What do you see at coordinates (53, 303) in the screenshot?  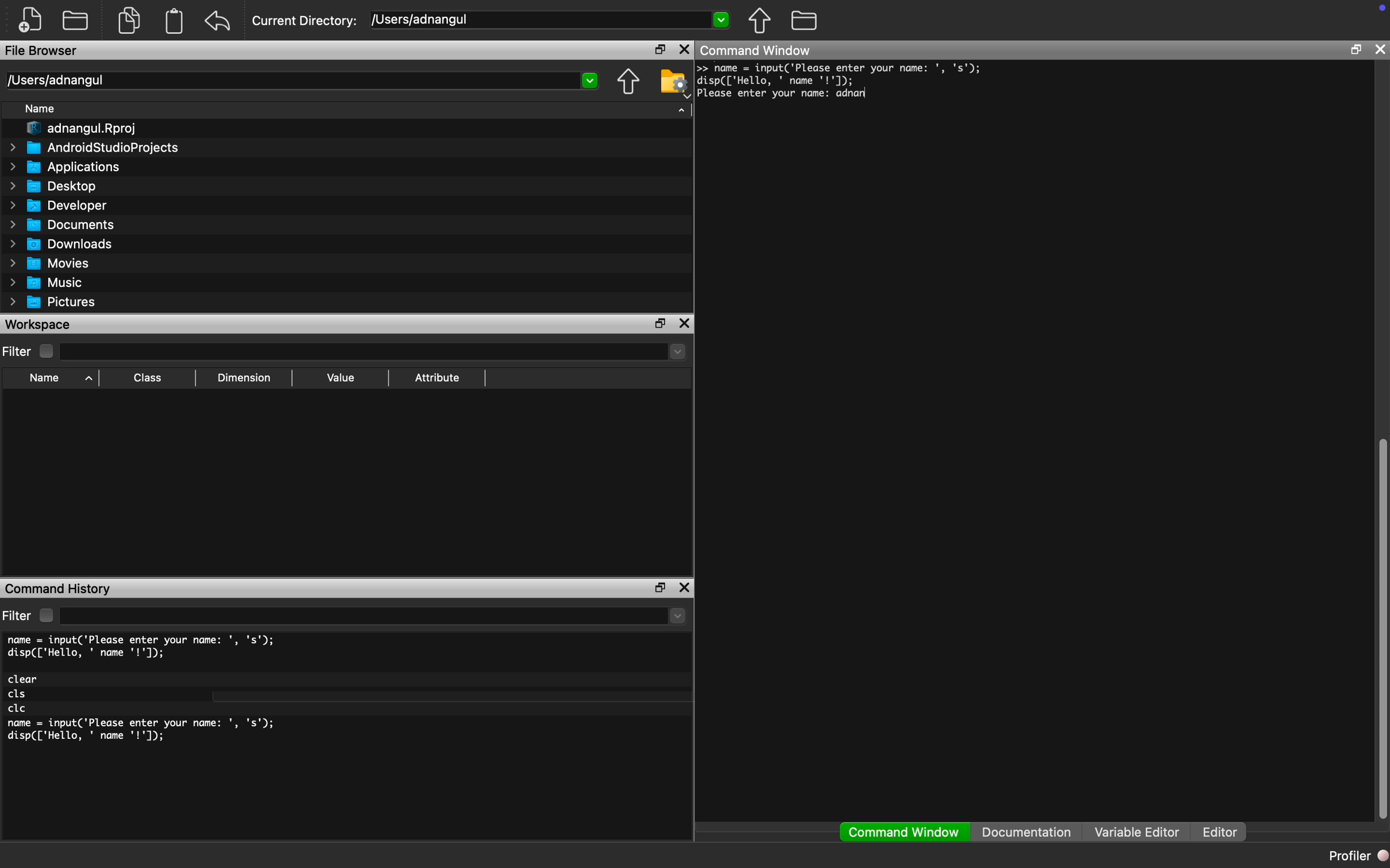 I see `Pictures` at bounding box center [53, 303].